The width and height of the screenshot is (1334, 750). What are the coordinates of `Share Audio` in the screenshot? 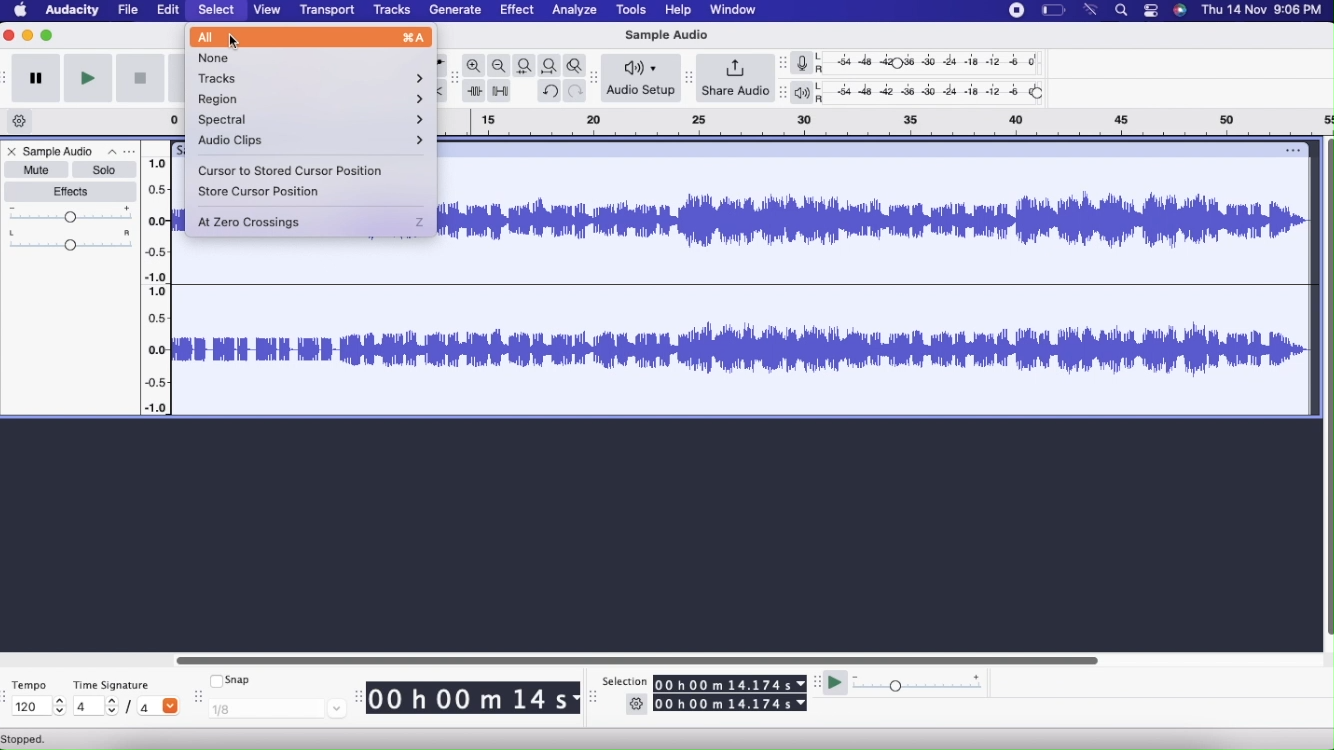 It's located at (736, 78).